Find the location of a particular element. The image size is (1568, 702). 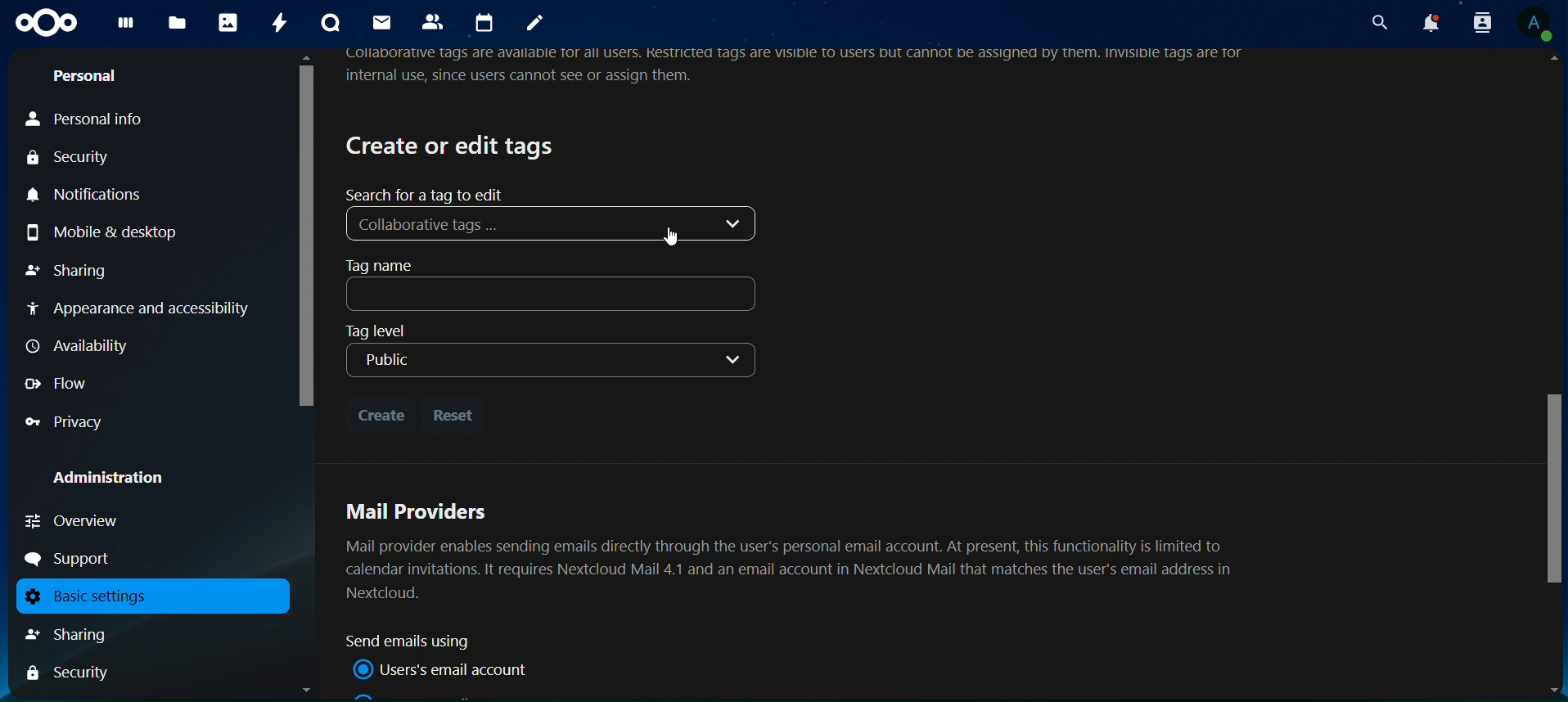

create or edit tags is located at coordinates (453, 145).